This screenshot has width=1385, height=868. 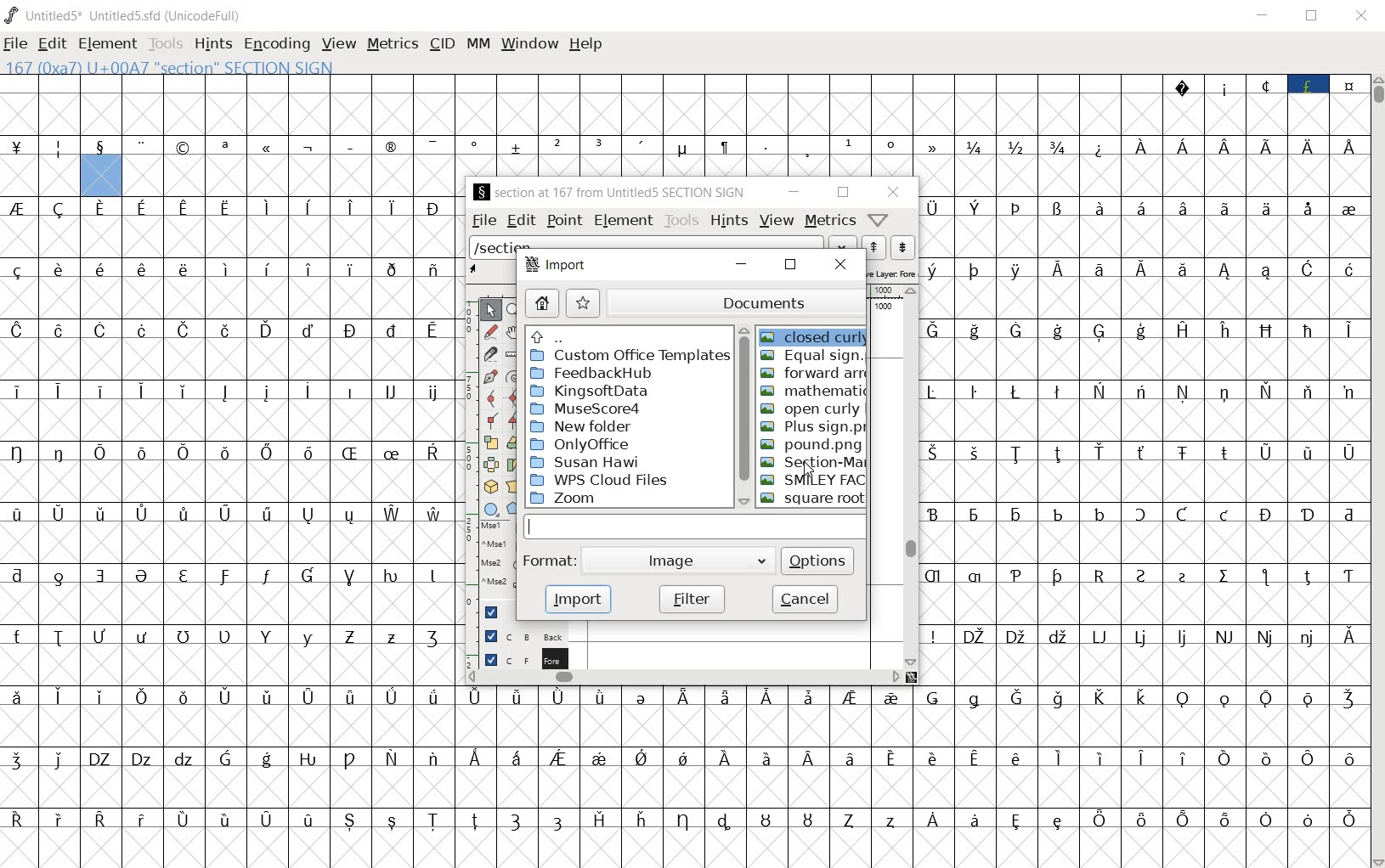 What do you see at coordinates (1139, 206) in the screenshot?
I see `special letters` at bounding box center [1139, 206].